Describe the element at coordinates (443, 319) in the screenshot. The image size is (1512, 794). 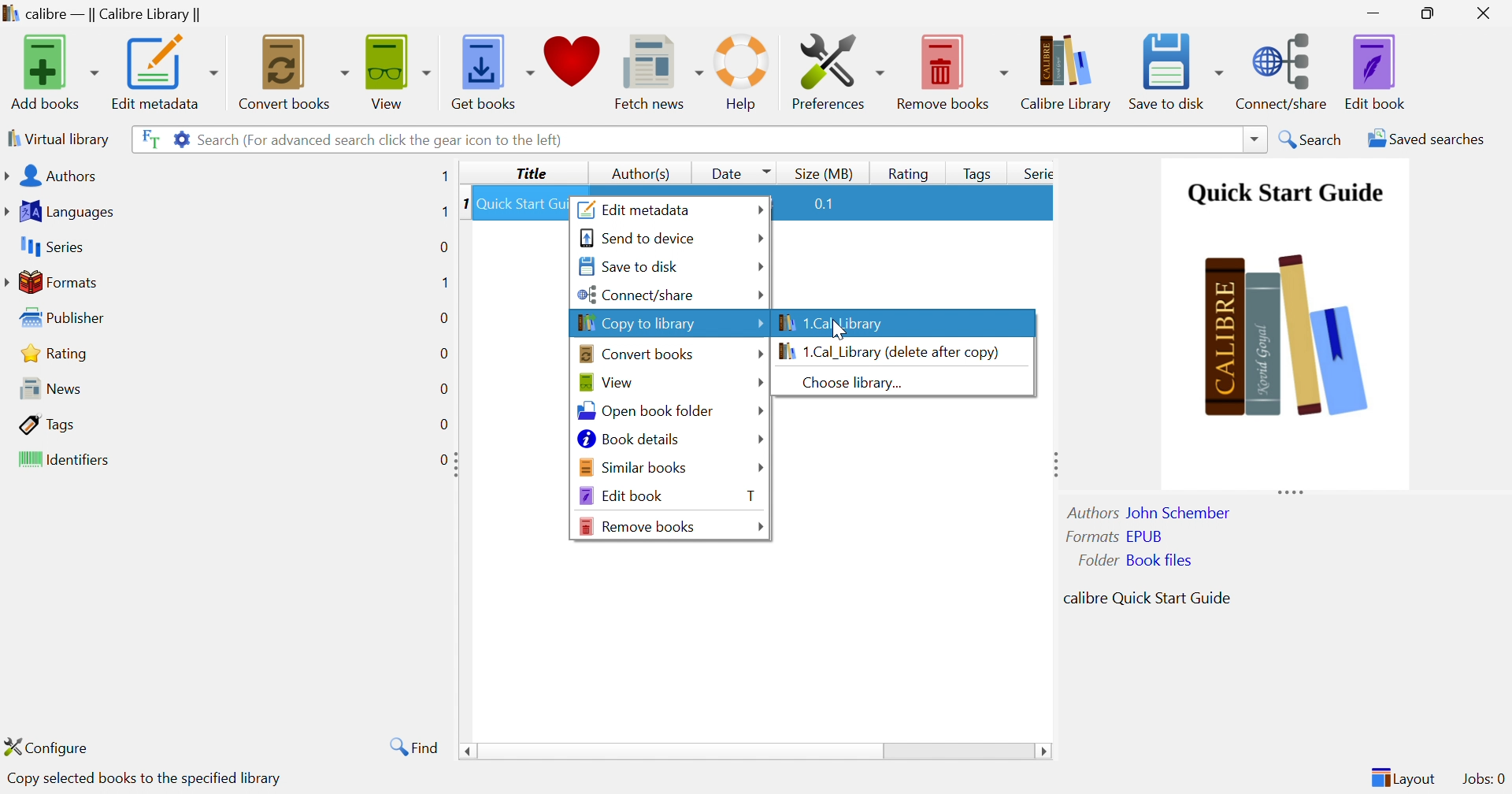
I see `0` at that location.